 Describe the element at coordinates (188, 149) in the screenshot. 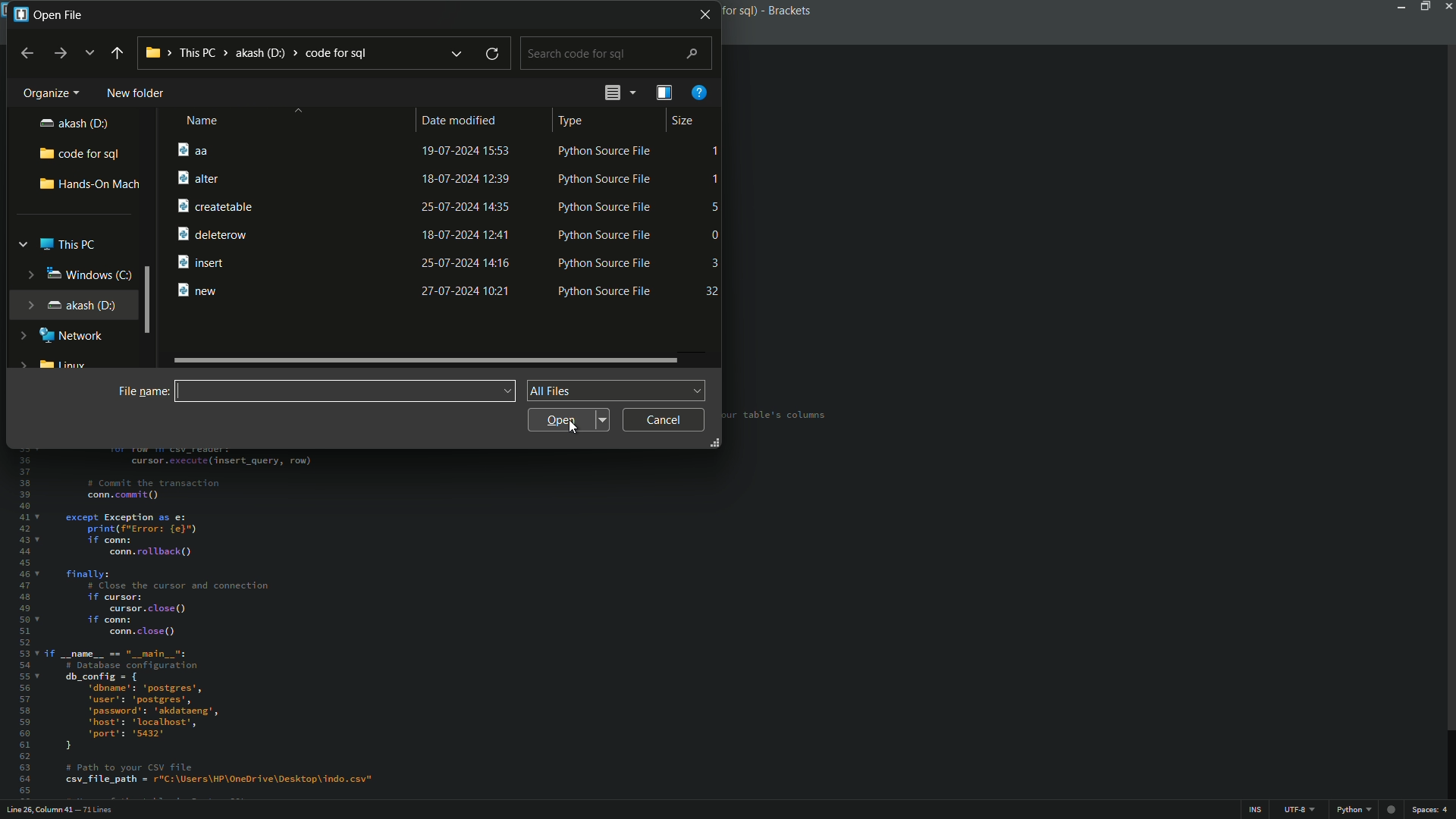

I see `aa` at that location.